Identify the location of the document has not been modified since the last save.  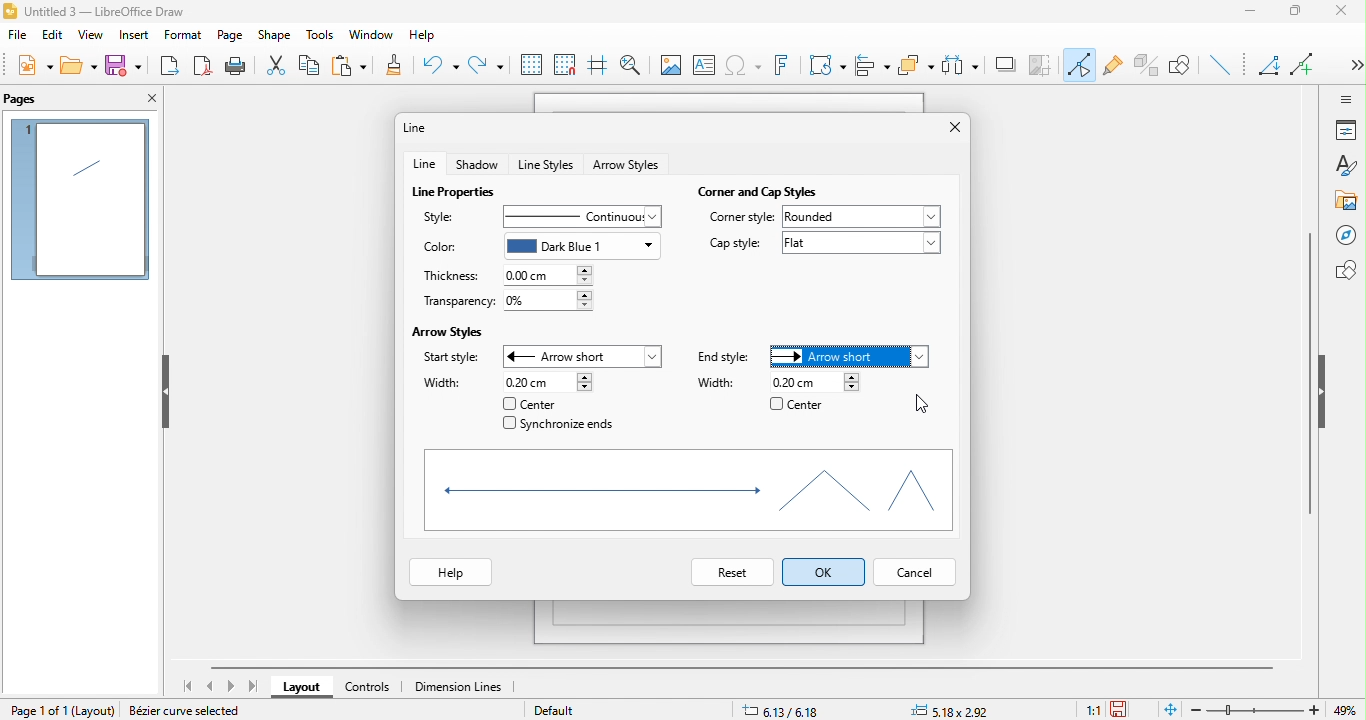
(1127, 709).